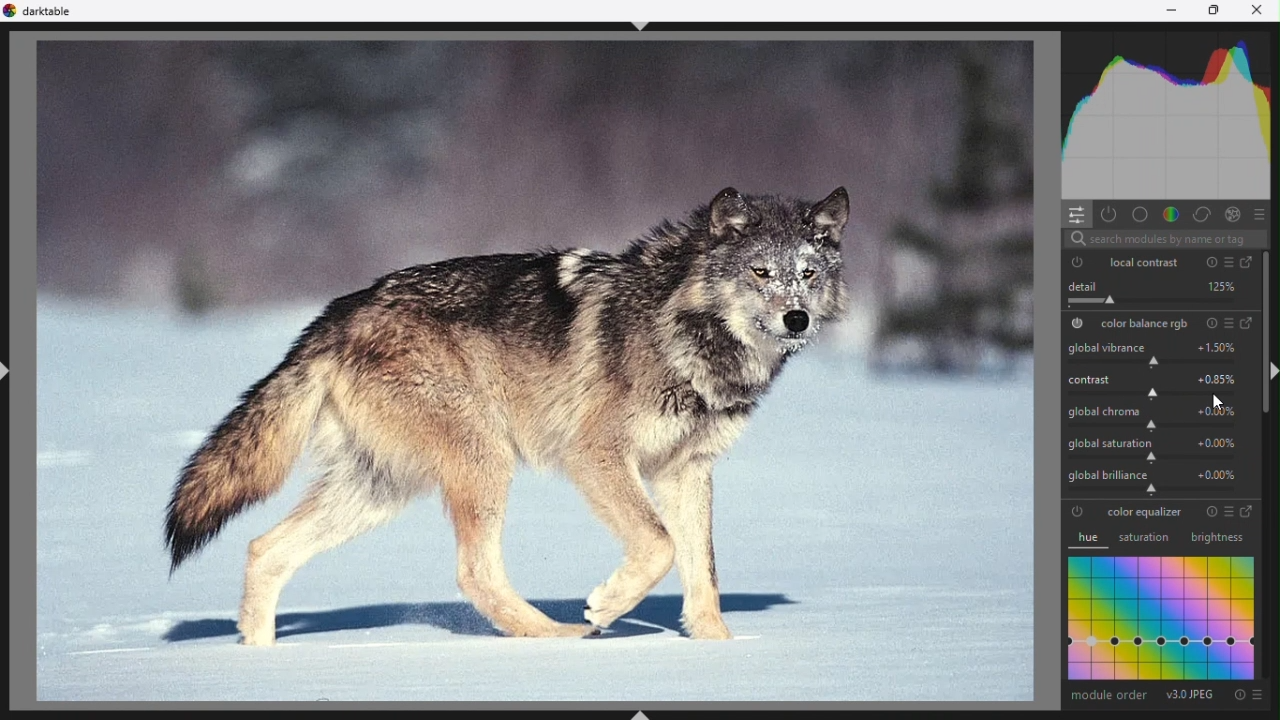 The width and height of the screenshot is (1280, 720). Describe the element at coordinates (1156, 482) in the screenshot. I see `global brilliance slider` at that location.